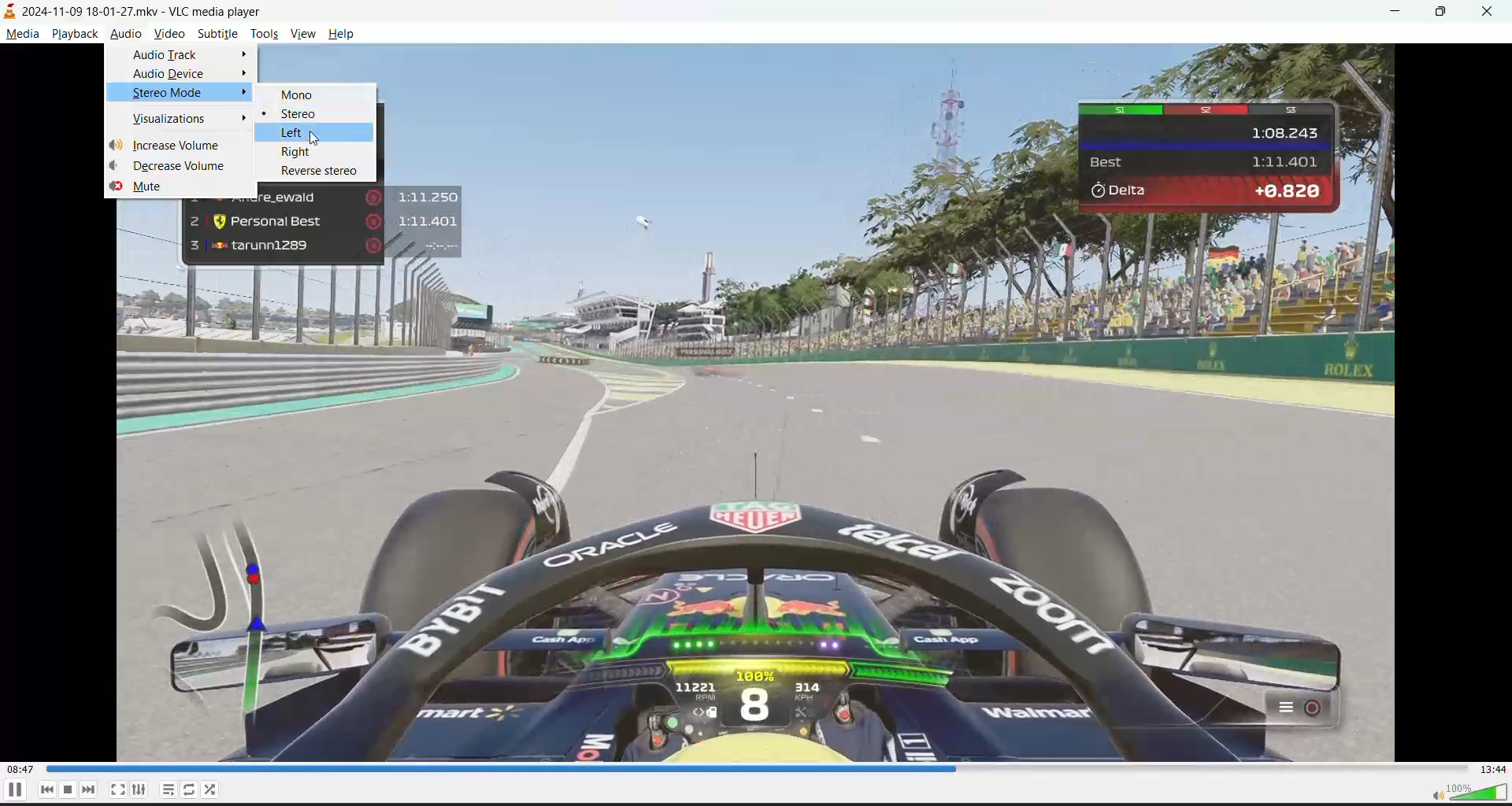 Image resolution: width=1512 pixels, height=806 pixels. I want to click on close, so click(1494, 10).